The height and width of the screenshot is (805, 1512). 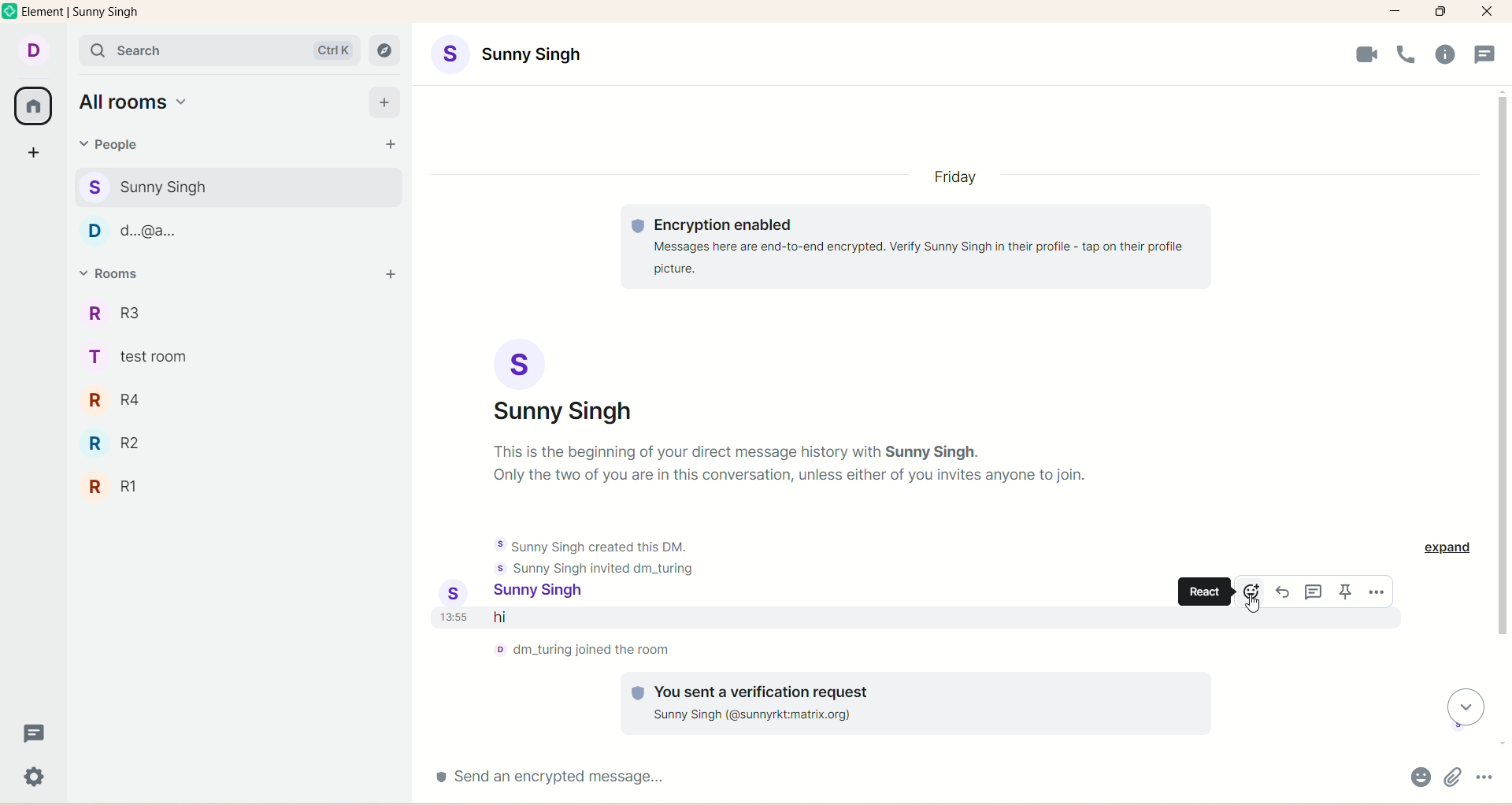 What do you see at coordinates (80, 11) in the screenshot?
I see `Element | Sunny Singh` at bounding box center [80, 11].